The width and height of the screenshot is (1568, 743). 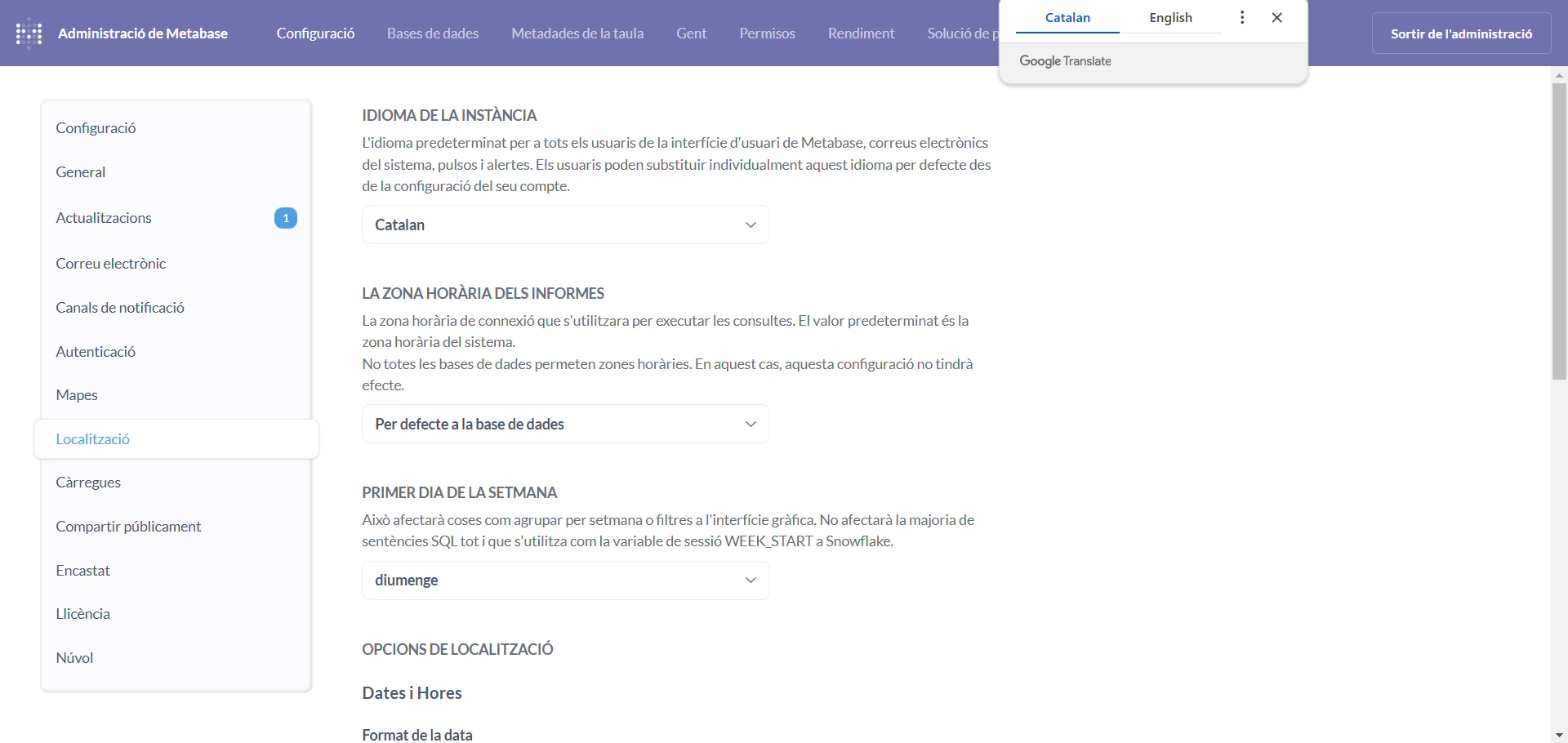 I want to click on Gent, so click(x=694, y=33).